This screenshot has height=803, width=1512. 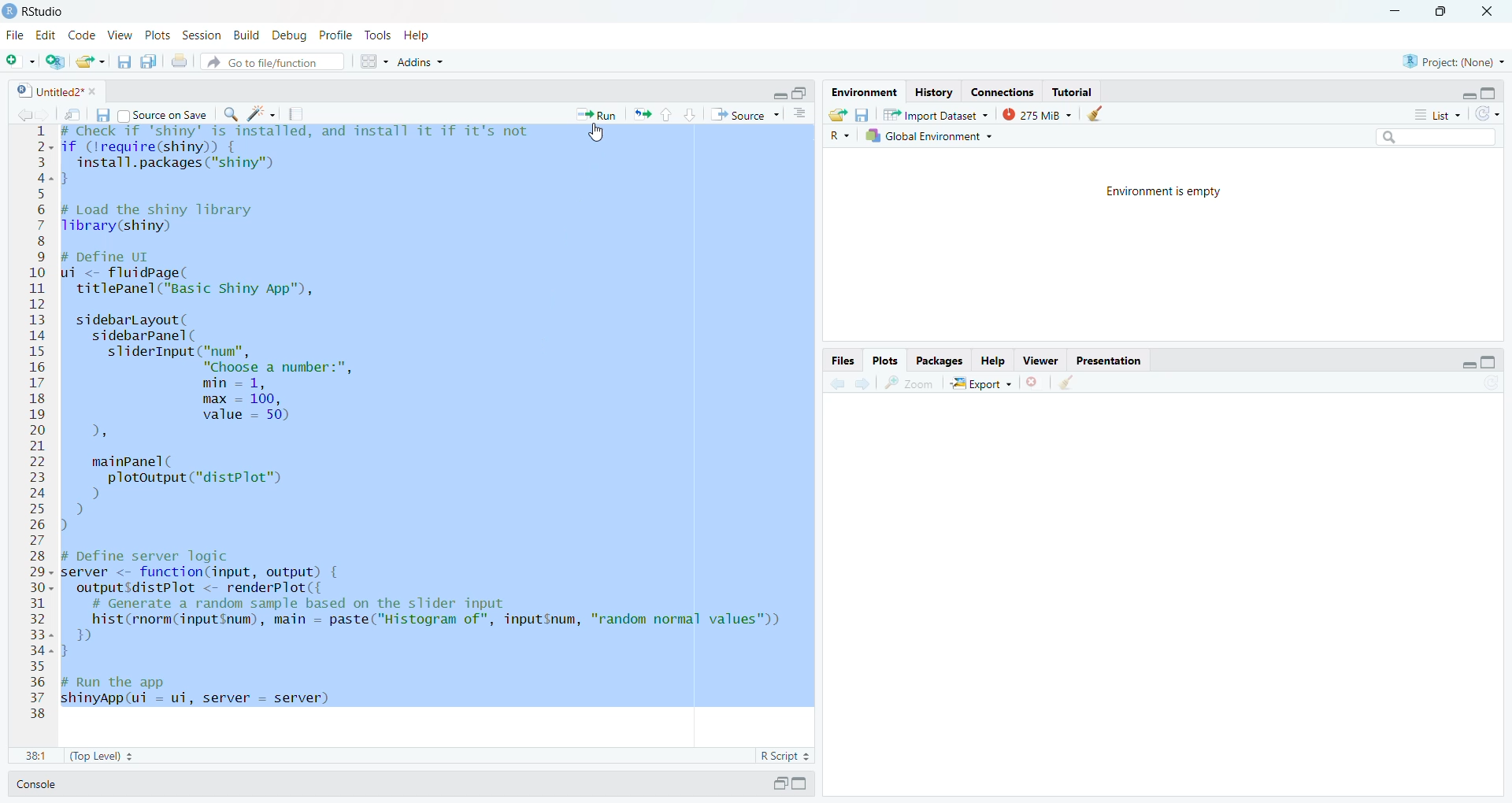 What do you see at coordinates (36, 784) in the screenshot?
I see `Console` at bounding box center [36, 784].